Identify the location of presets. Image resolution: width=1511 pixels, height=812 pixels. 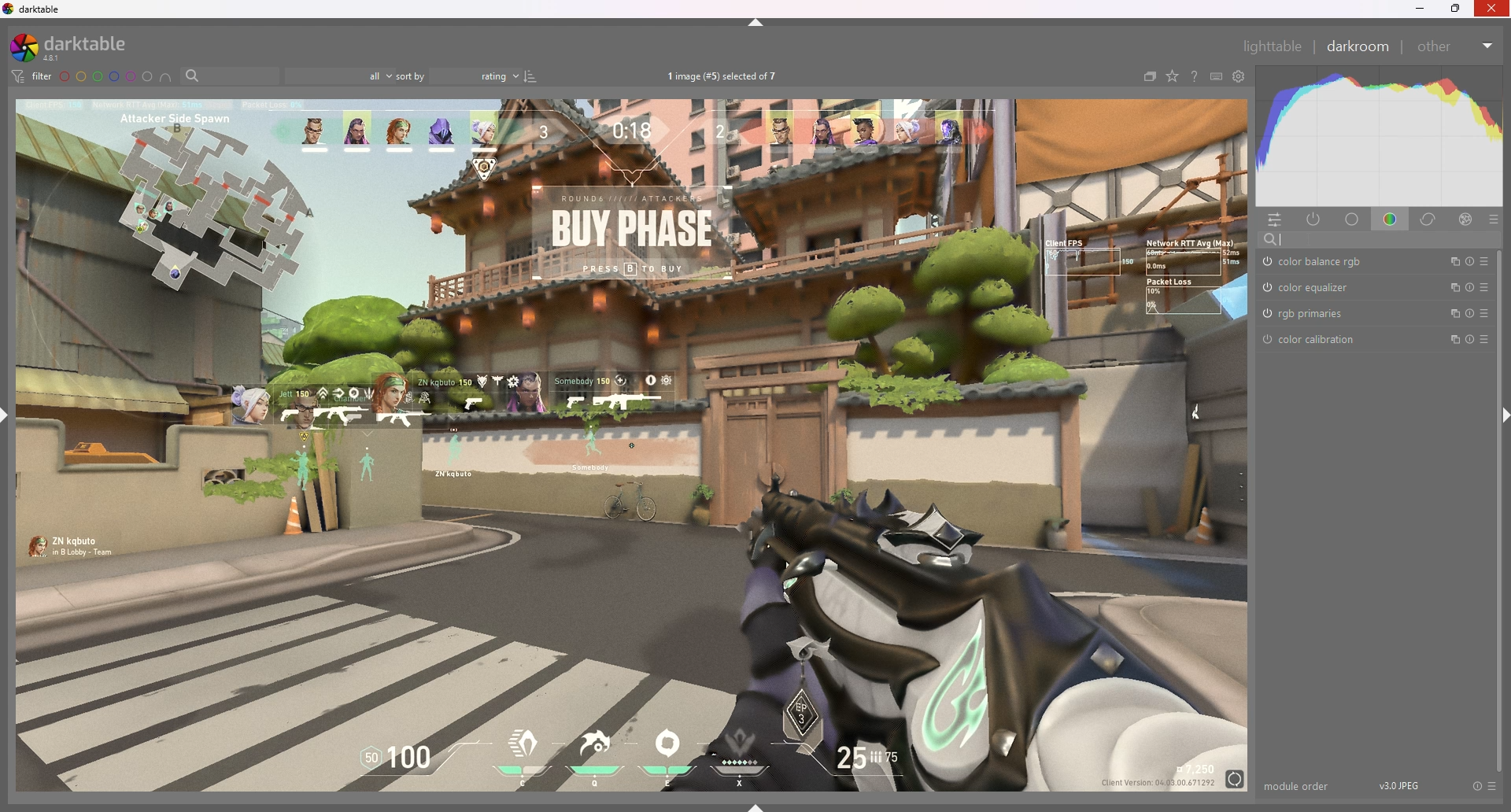
(1484, 314).